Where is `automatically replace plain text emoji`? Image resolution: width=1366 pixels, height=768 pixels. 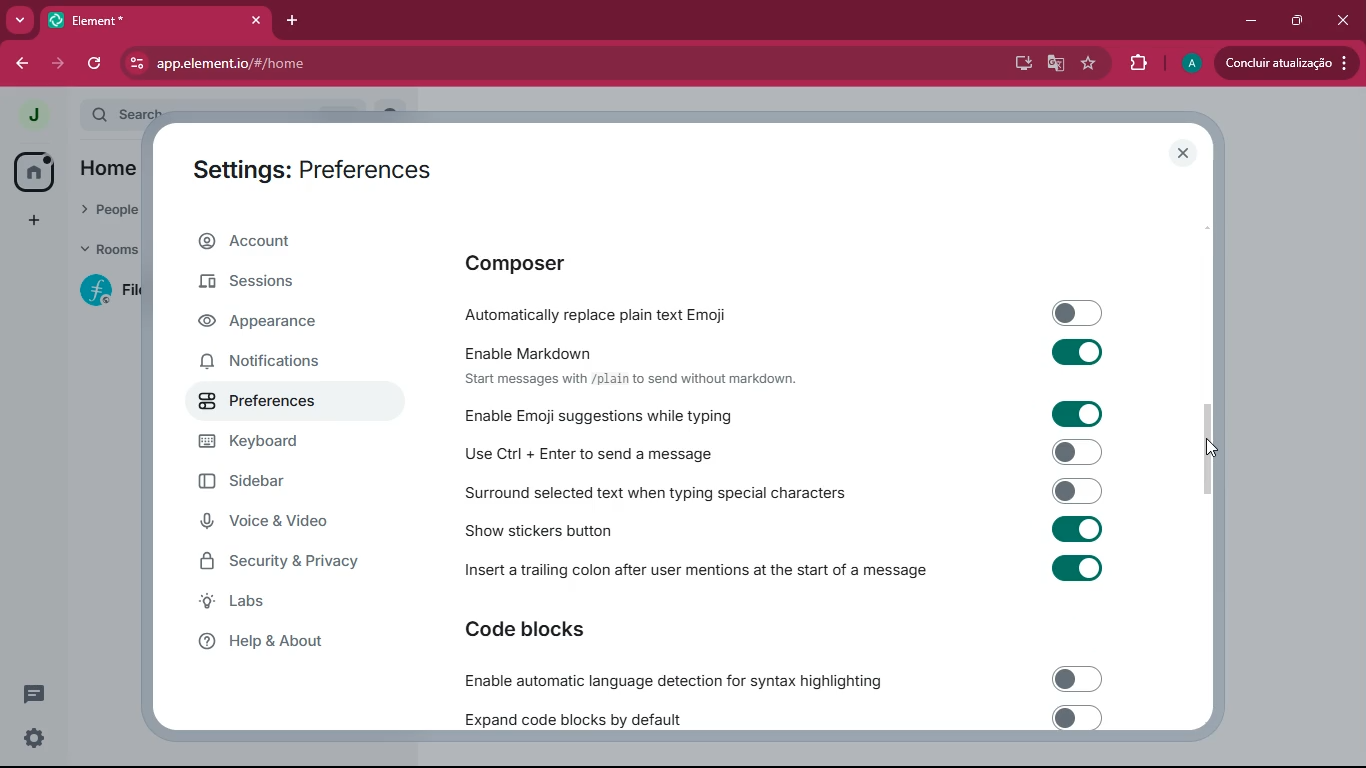 automatically replace plain text emoji is located at coordinates (794, 312).